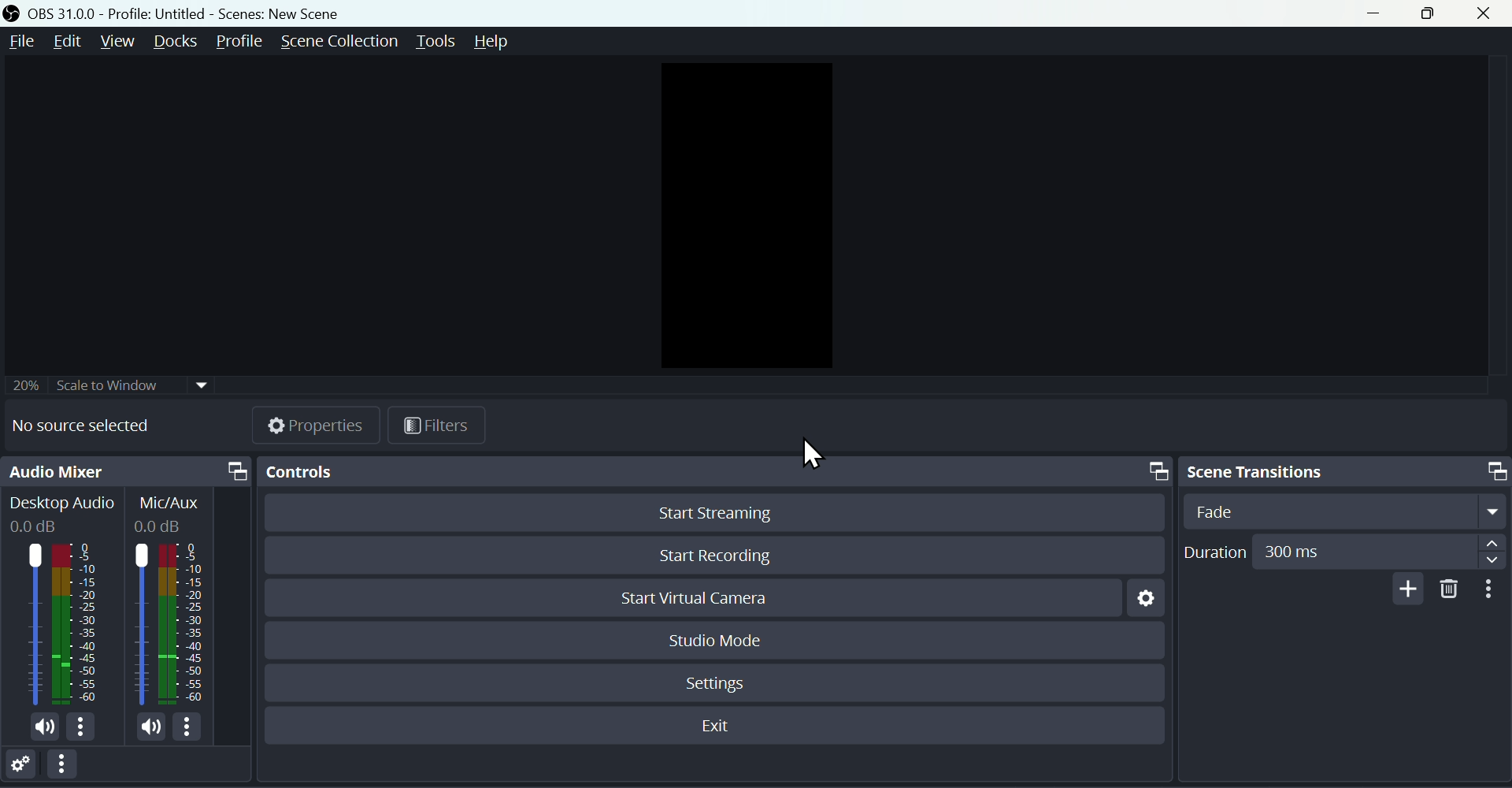  Describe the element at coordinates (719, 680) in the screenshot. I see `Settings` at that location.